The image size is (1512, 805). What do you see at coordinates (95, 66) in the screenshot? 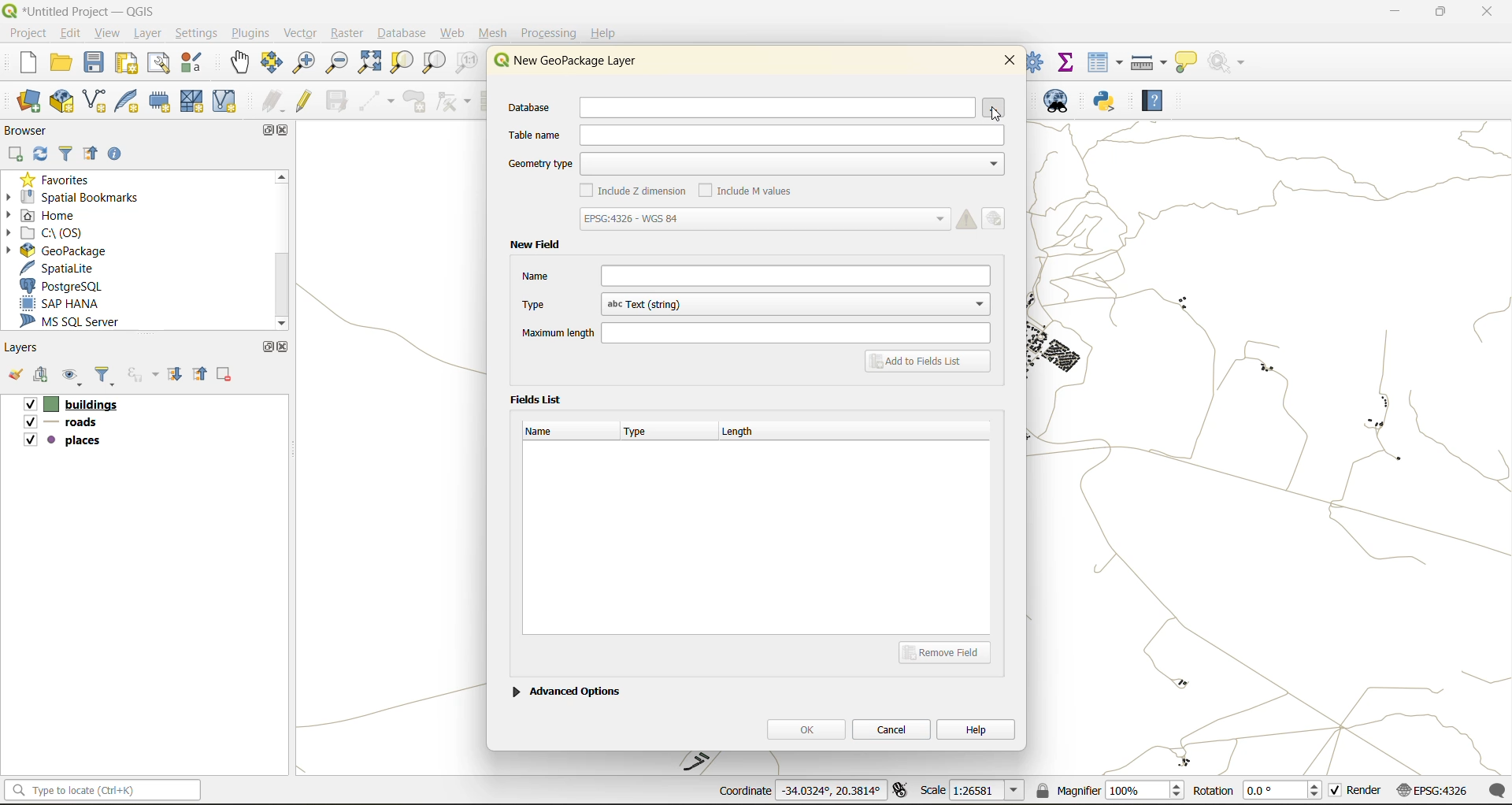
I see `save` at bounding box center [95, 66].